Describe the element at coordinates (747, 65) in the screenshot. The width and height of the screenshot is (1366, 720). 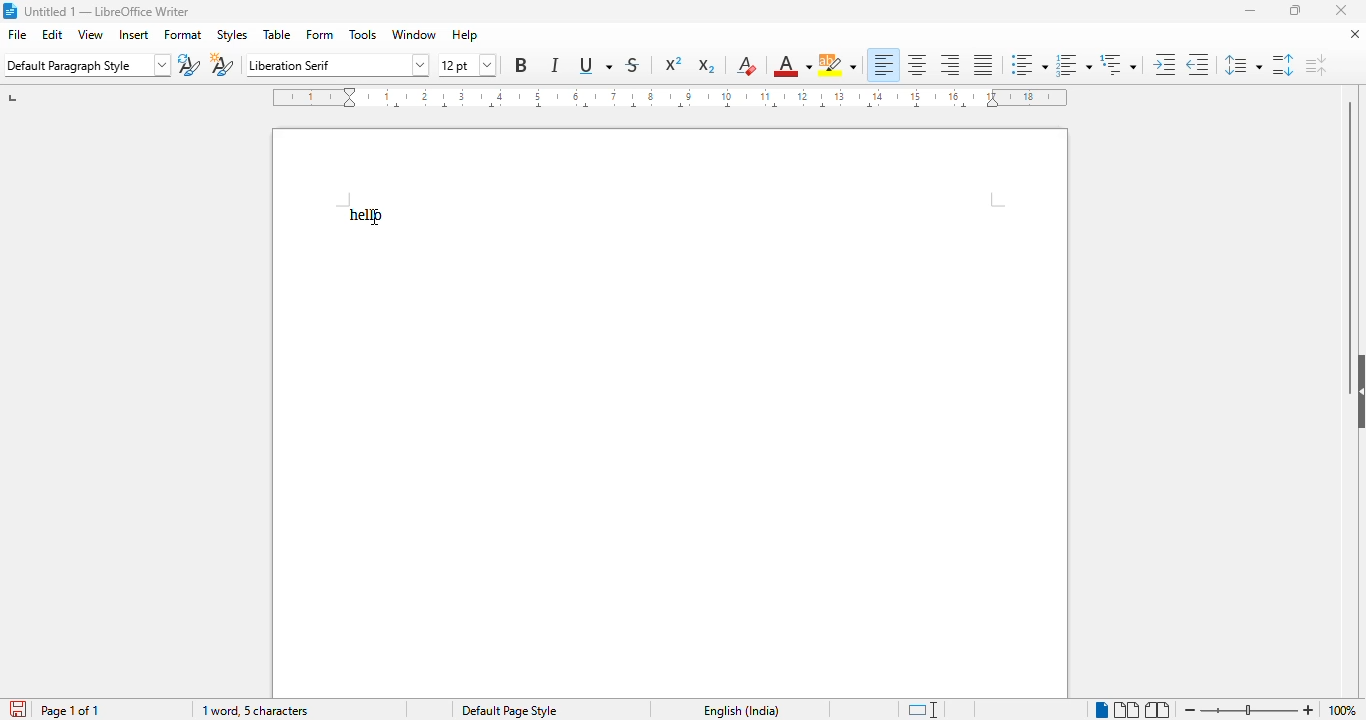
I see `clear direct formatting` at that location.